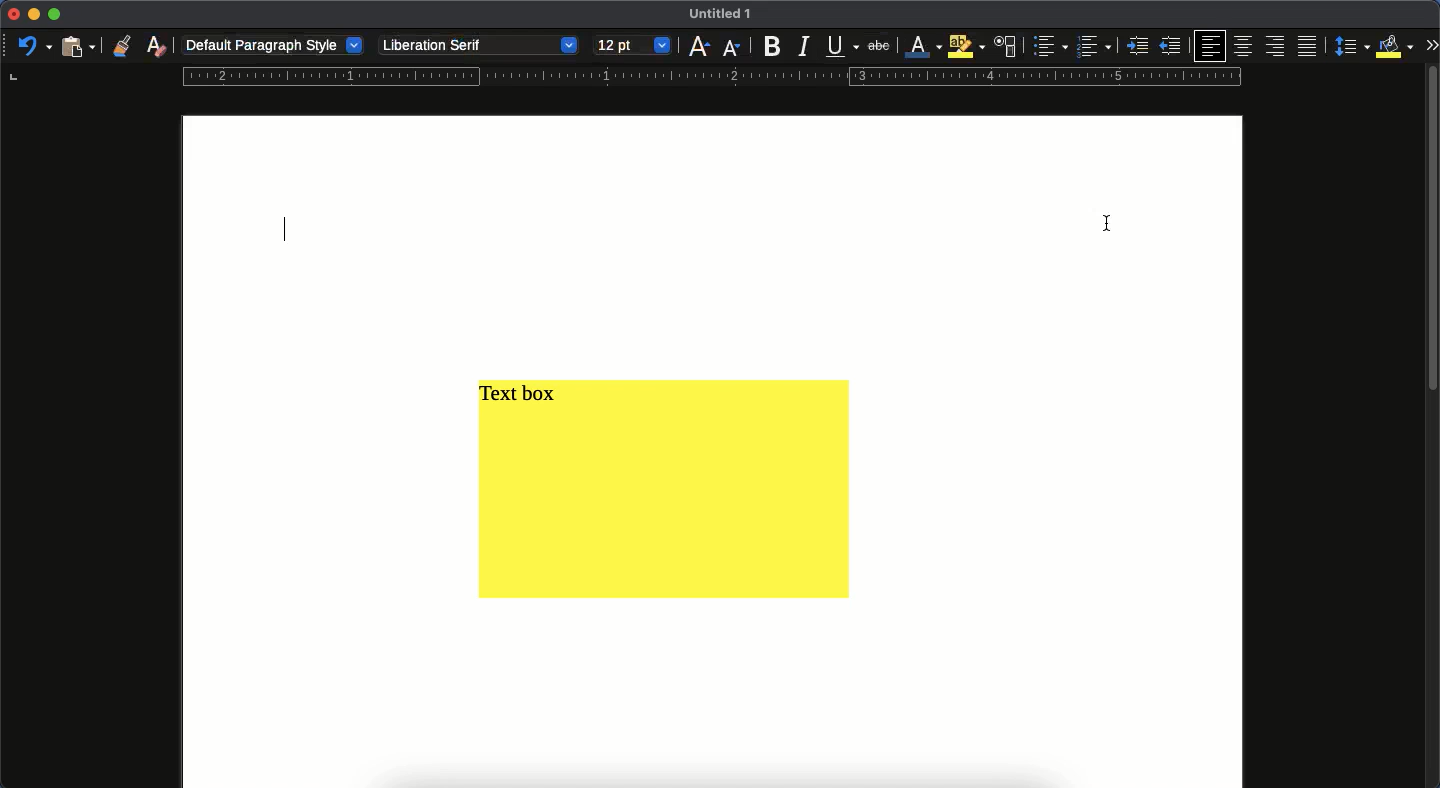 The height and width of the screenshot is (788, 1440). What do you see at coordinates (699, 46) in the screenshot?
I see `font size increase` at bounding box center [699, 46].